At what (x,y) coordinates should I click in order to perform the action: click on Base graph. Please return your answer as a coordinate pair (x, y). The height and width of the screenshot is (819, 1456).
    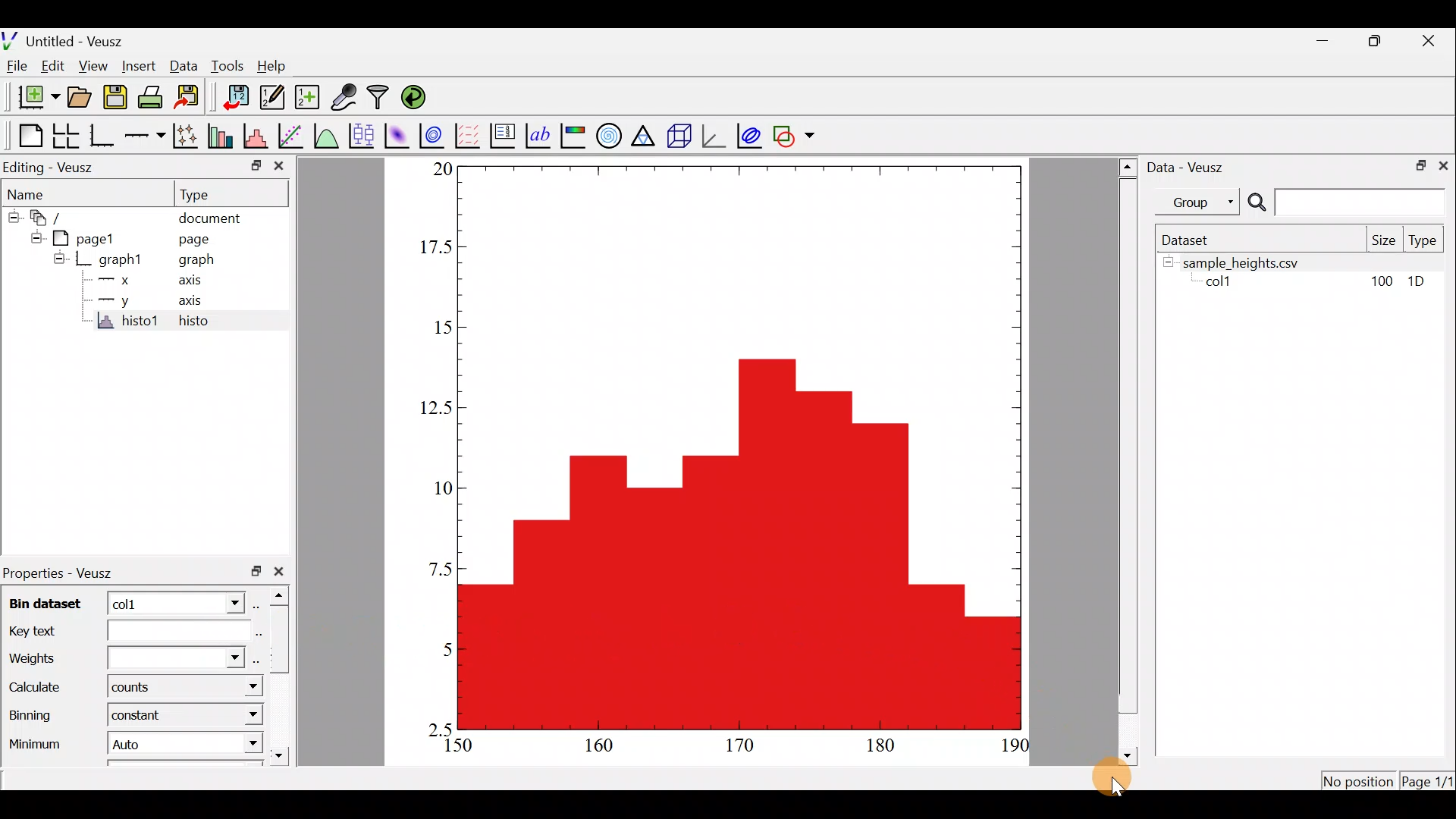
    Looking at the image, I should click on (101, 136).